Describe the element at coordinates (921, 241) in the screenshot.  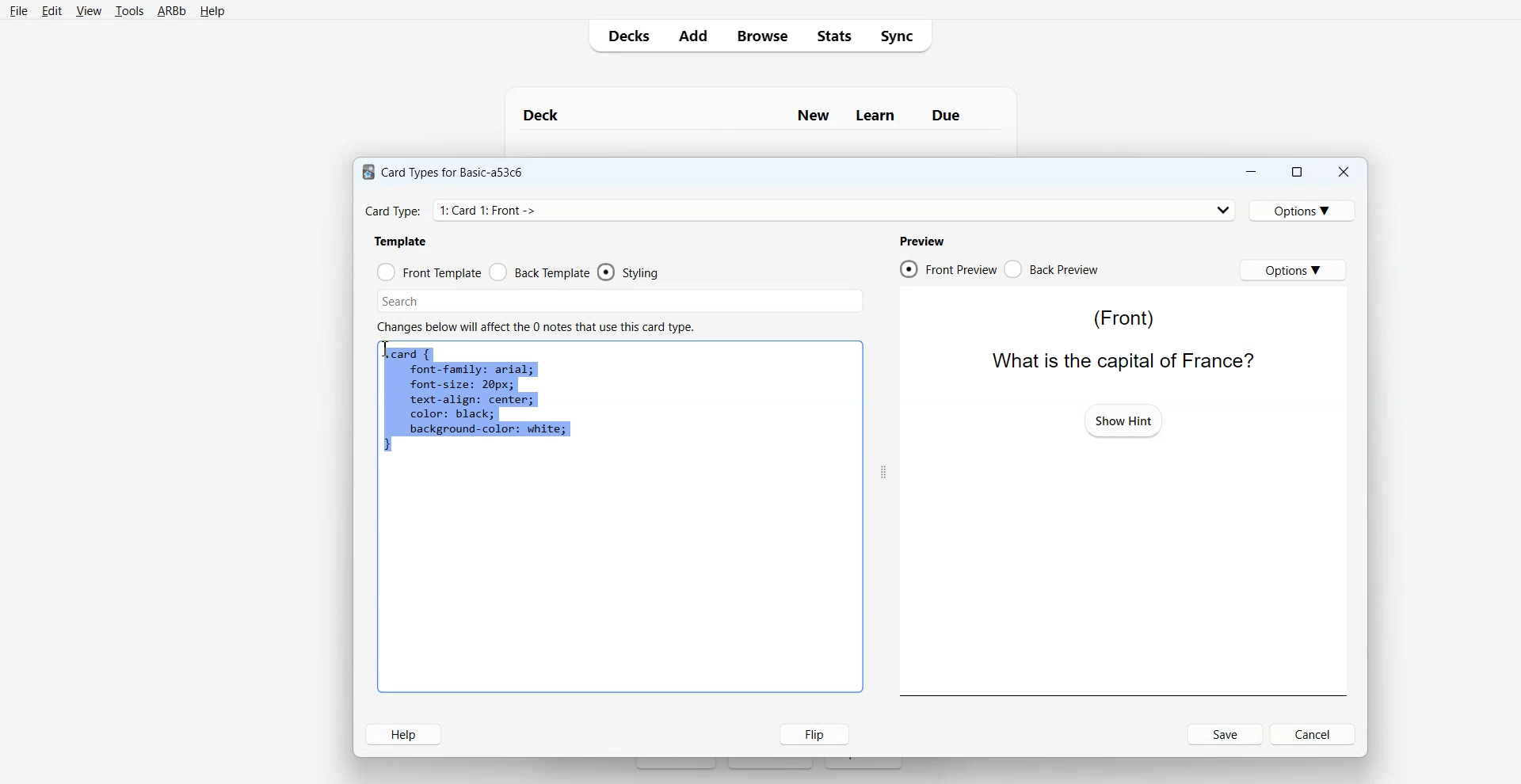
I see `Preview` at that location.